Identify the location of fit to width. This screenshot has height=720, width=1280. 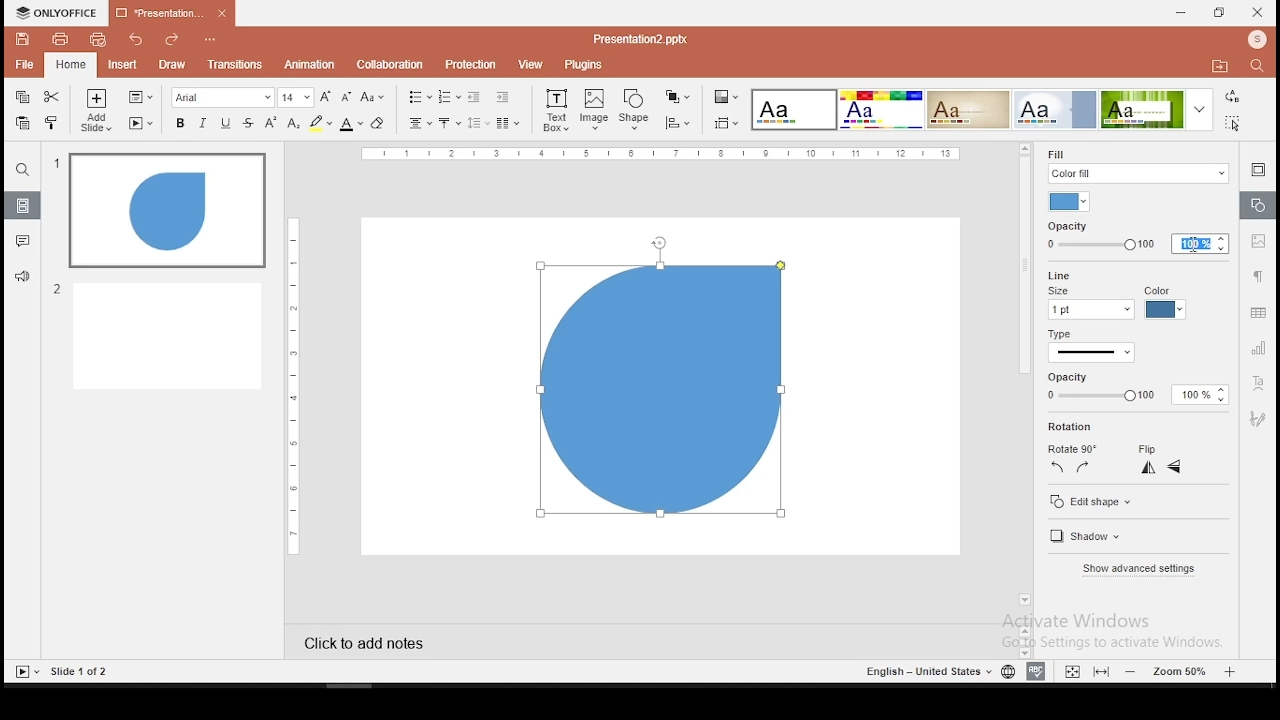
(1069, 671).